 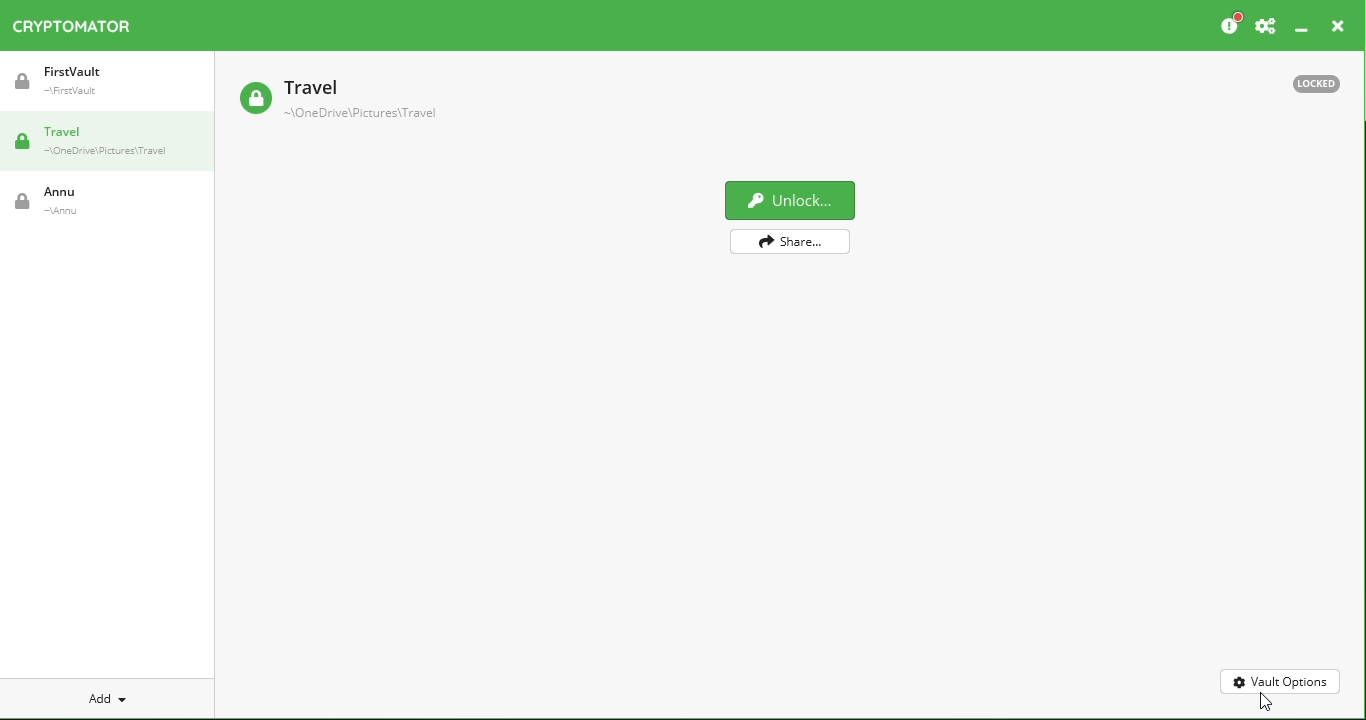 I want to click on Add new vault, so click(x=110, y=696).